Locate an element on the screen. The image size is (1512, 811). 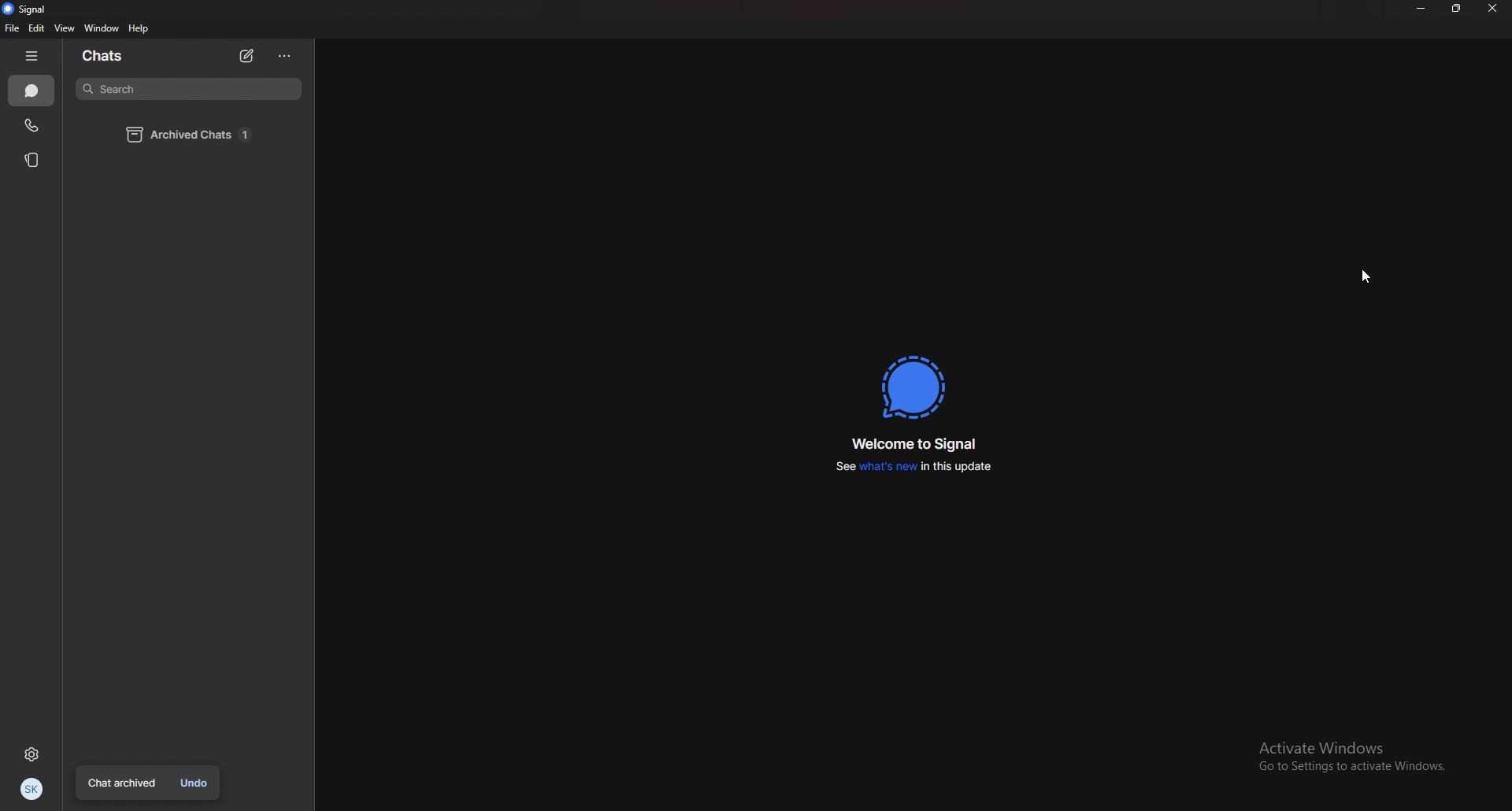
welcome to signal is located at coordinates (916, 443).